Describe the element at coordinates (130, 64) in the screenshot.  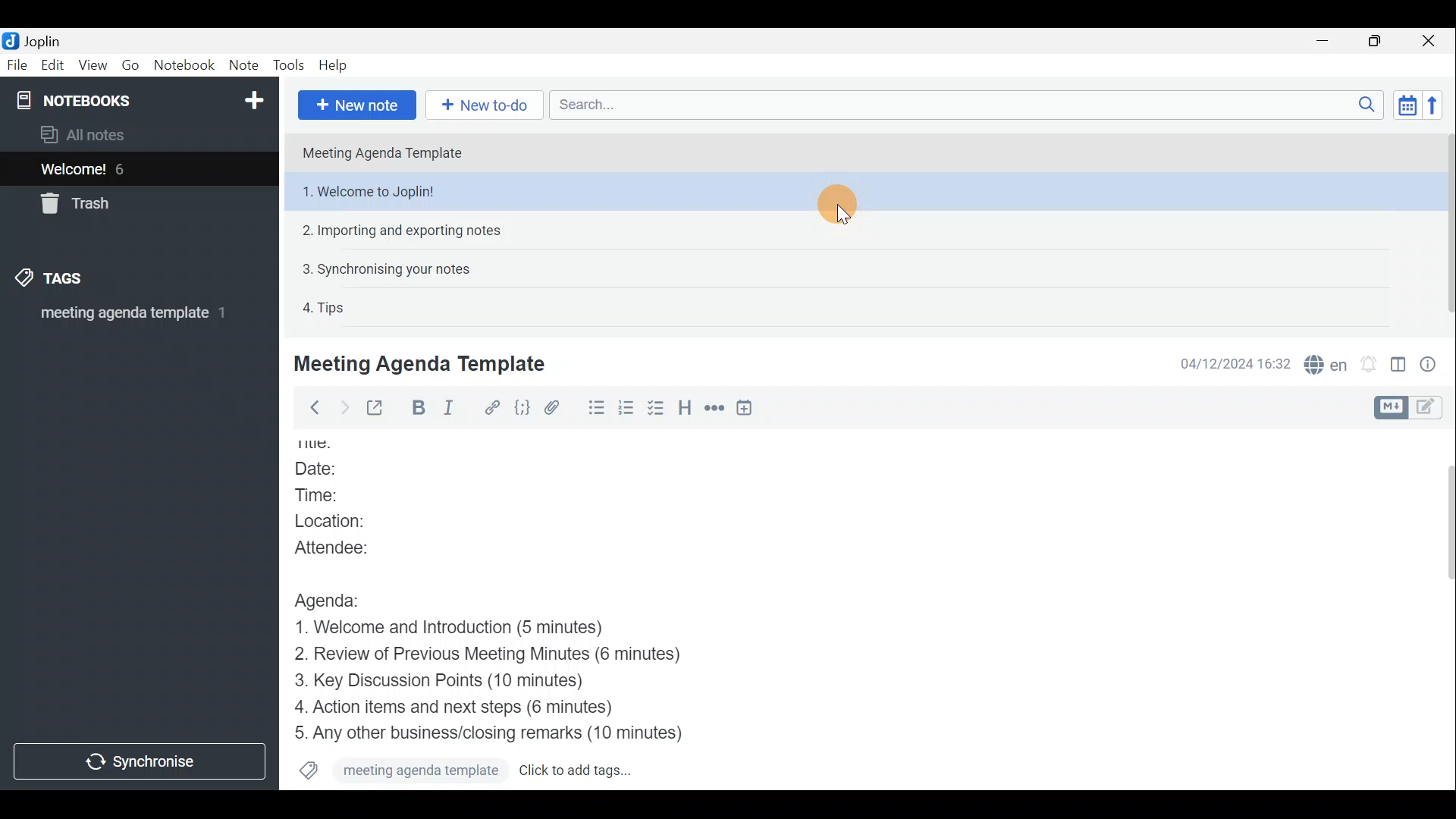
I see `Go` at that location.